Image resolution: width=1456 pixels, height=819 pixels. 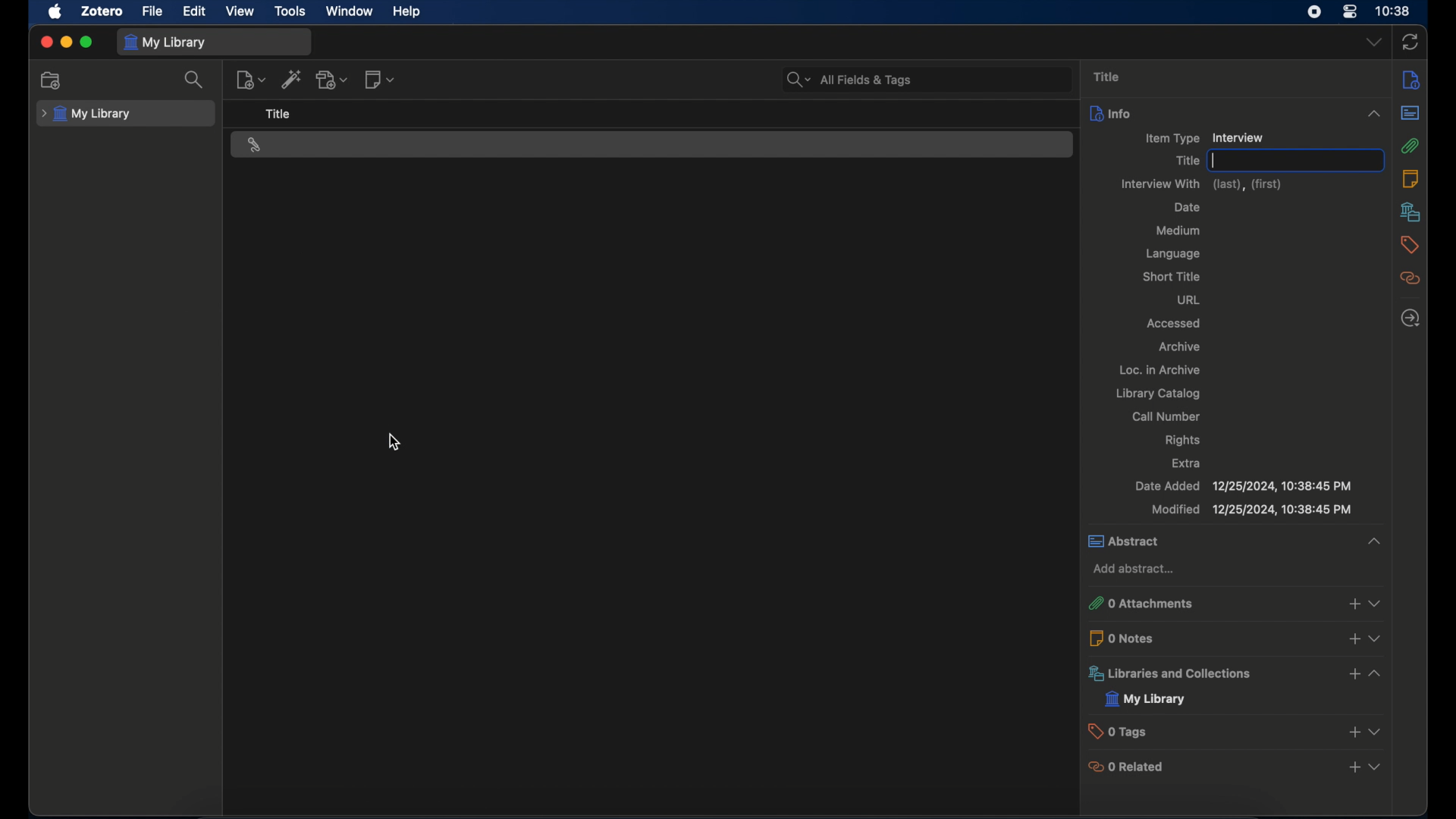 What do you see at coordinates (1394, 11) in the screenshot?
I see `time` at bounding box center [1394, 11].